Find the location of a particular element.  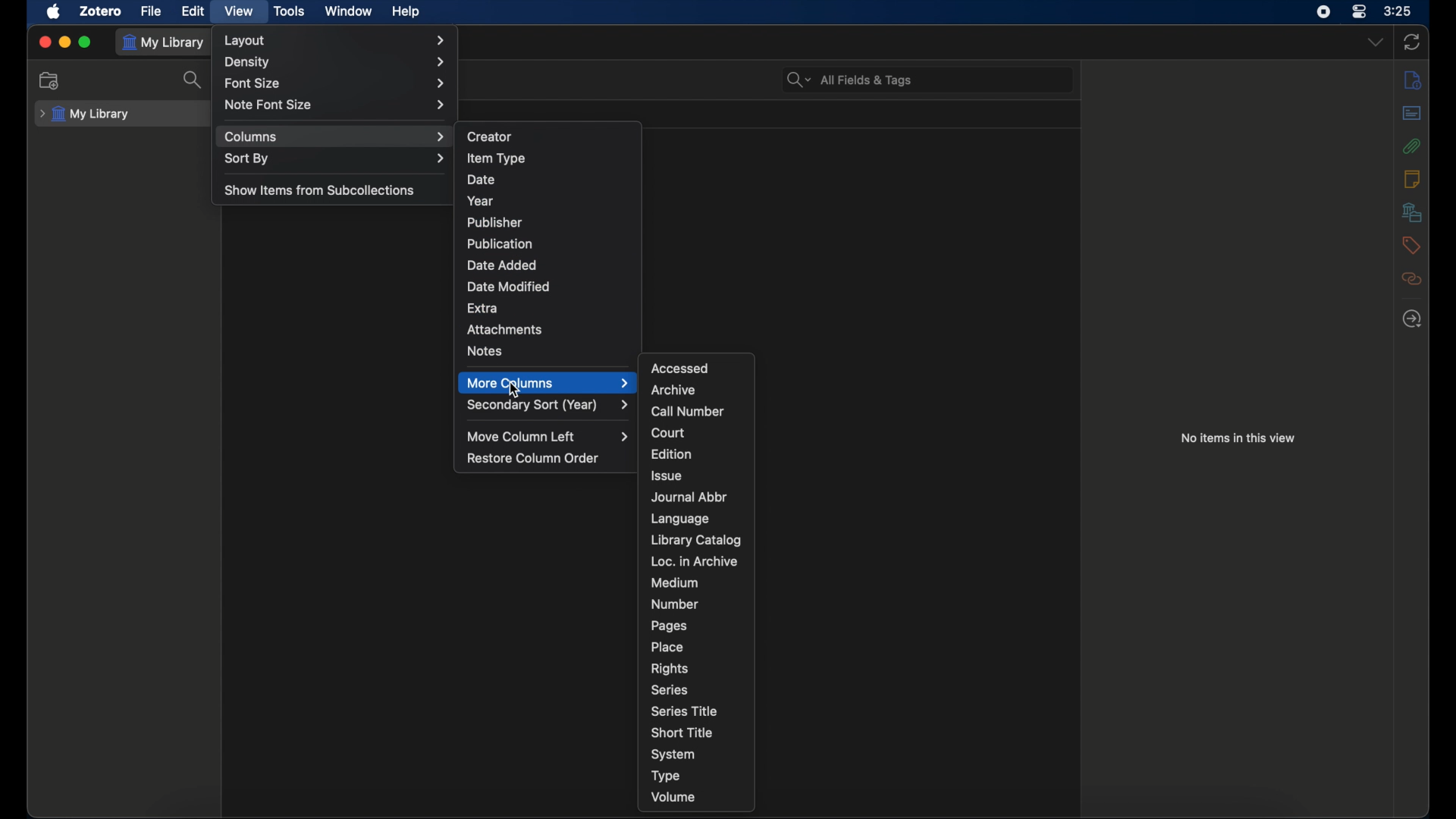

date modified is located at coordinates (509, 286).